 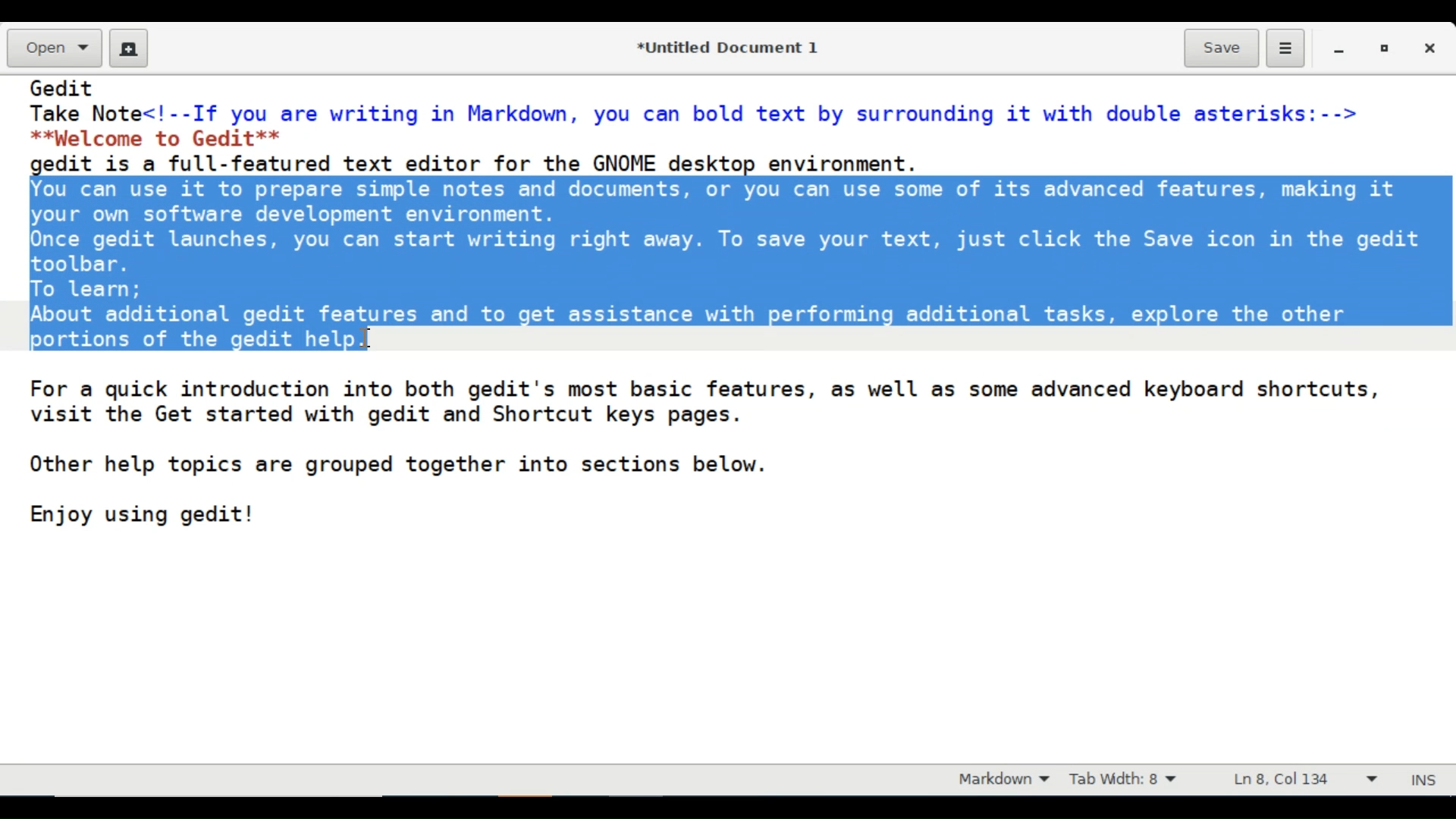 I want to click on Insert Mode, so click(x=1426, y=777).